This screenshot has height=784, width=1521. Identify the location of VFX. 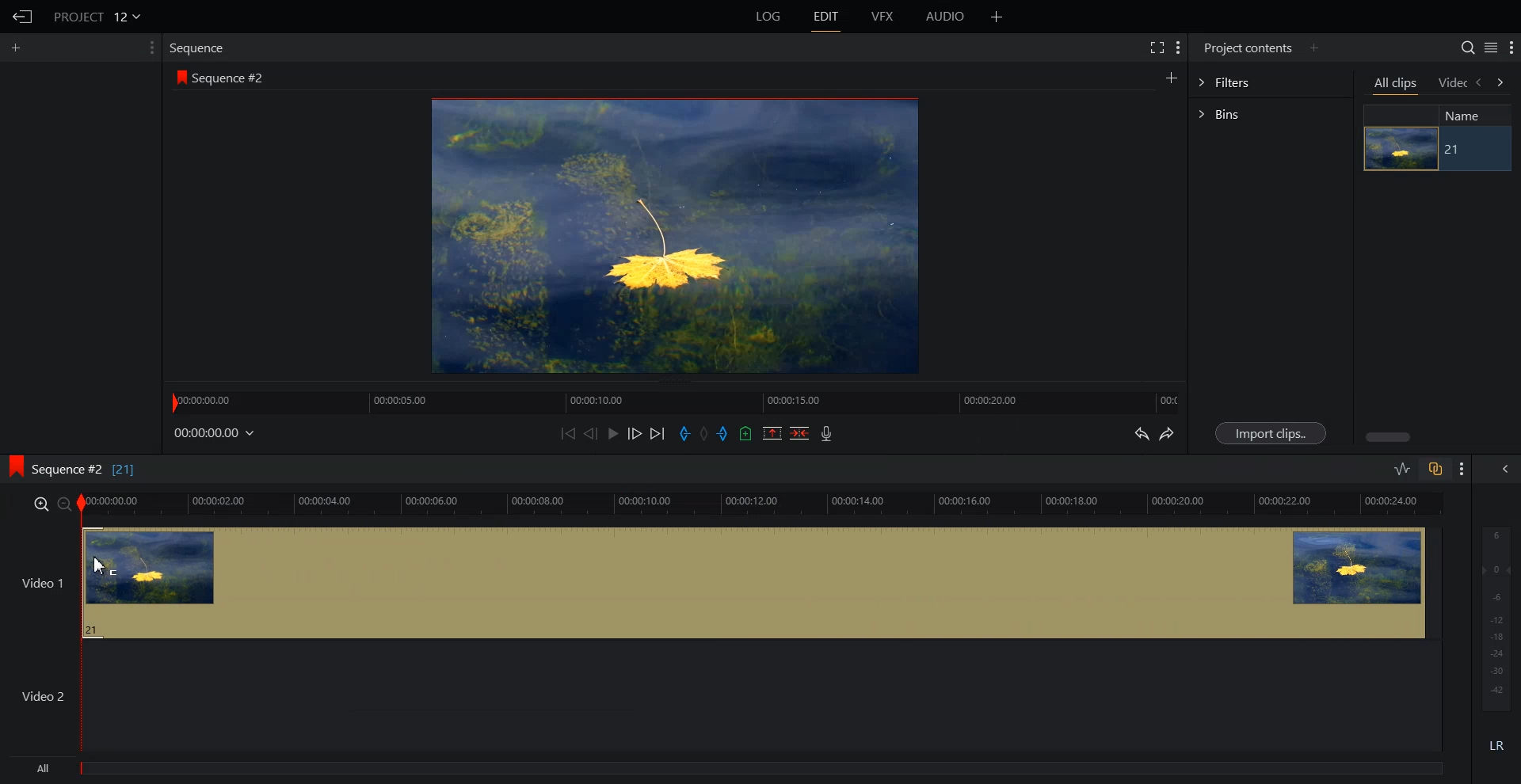
(883, 17).